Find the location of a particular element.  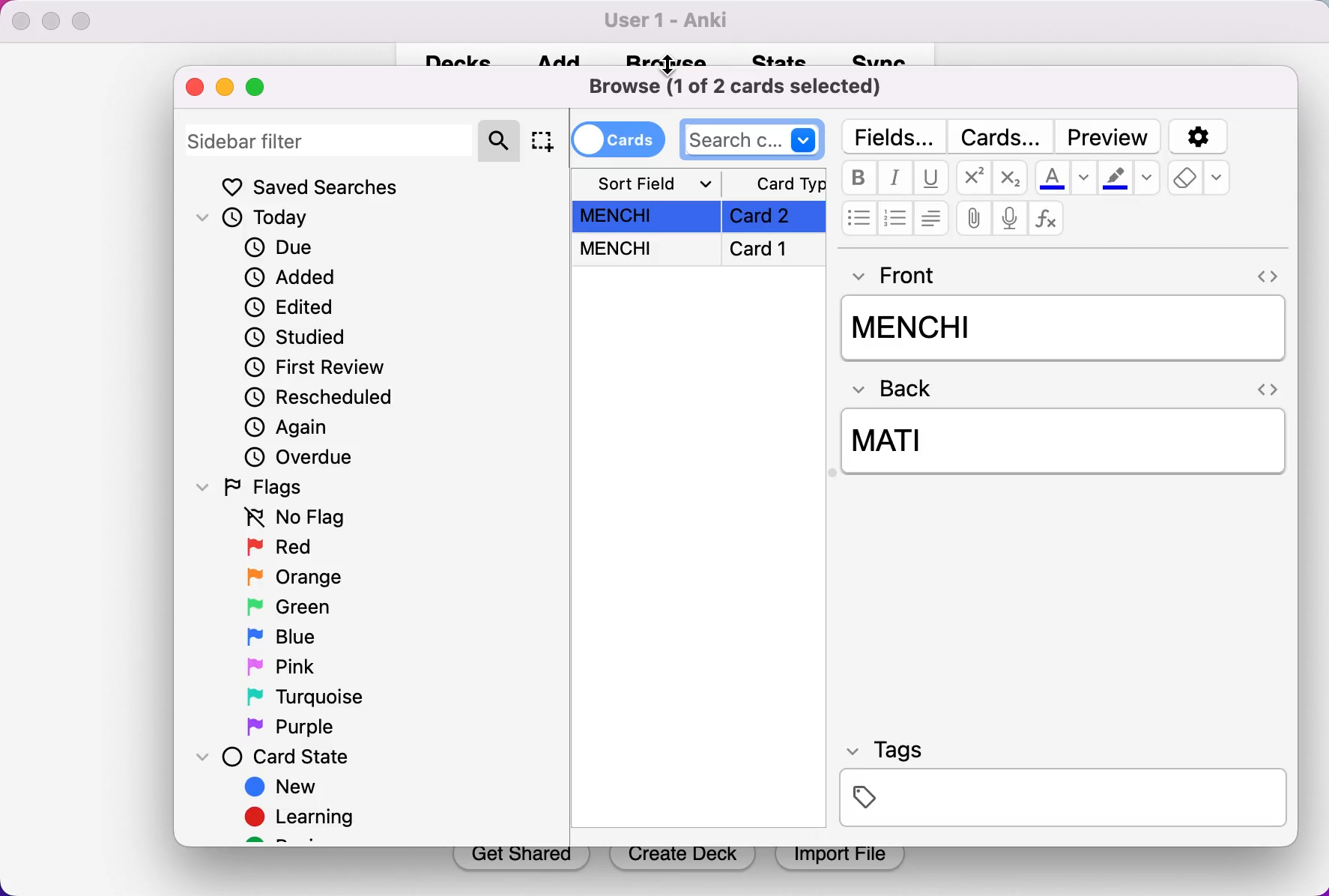

card state is located at coordinates (277, 757).